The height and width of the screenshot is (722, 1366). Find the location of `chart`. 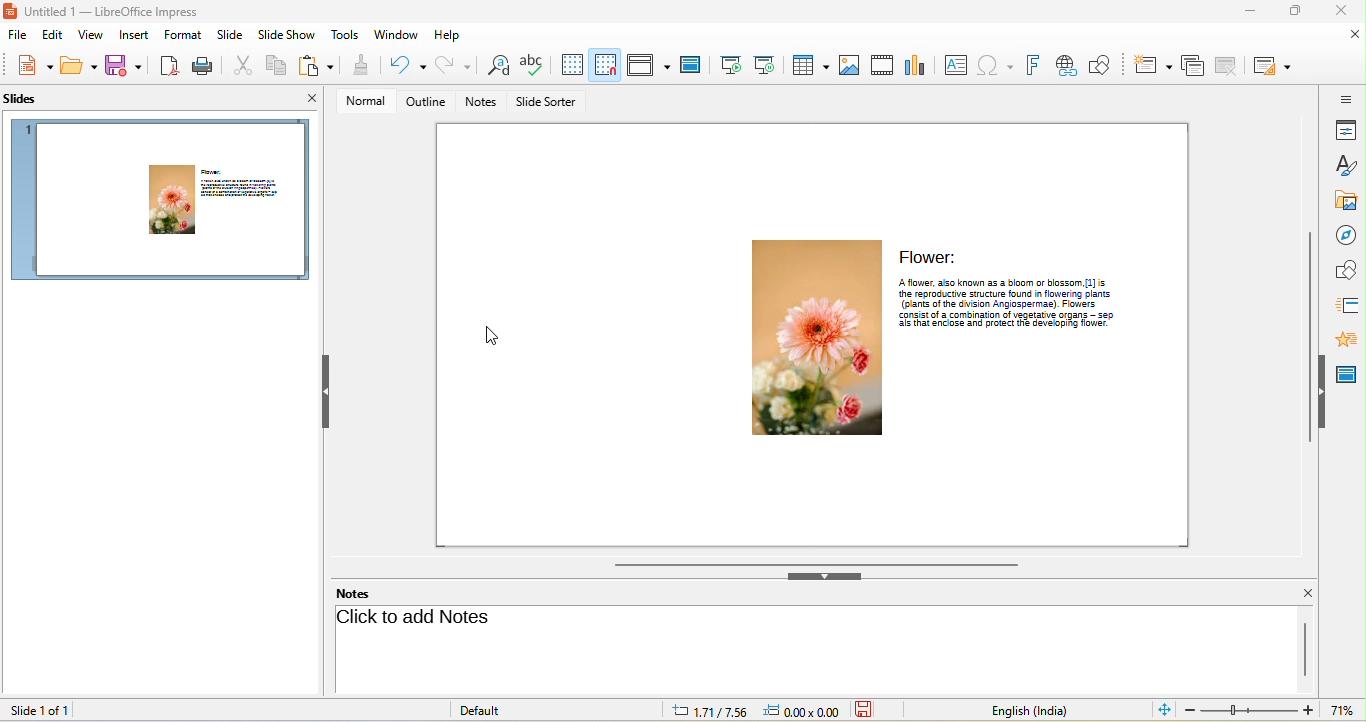

chart is located at coordinates (917, 65).